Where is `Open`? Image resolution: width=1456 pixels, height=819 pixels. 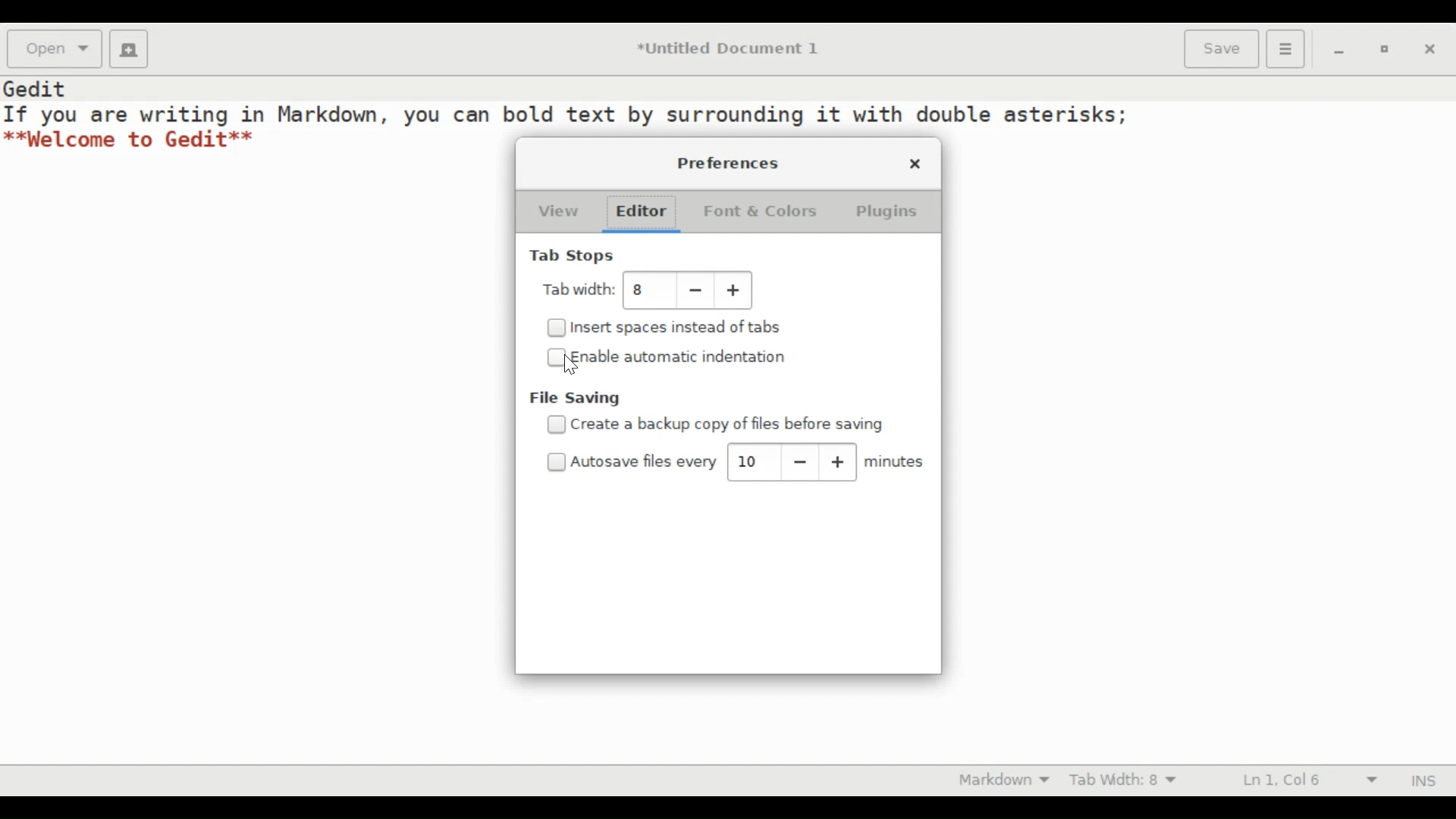
Open is located at coordinates (52, 50).